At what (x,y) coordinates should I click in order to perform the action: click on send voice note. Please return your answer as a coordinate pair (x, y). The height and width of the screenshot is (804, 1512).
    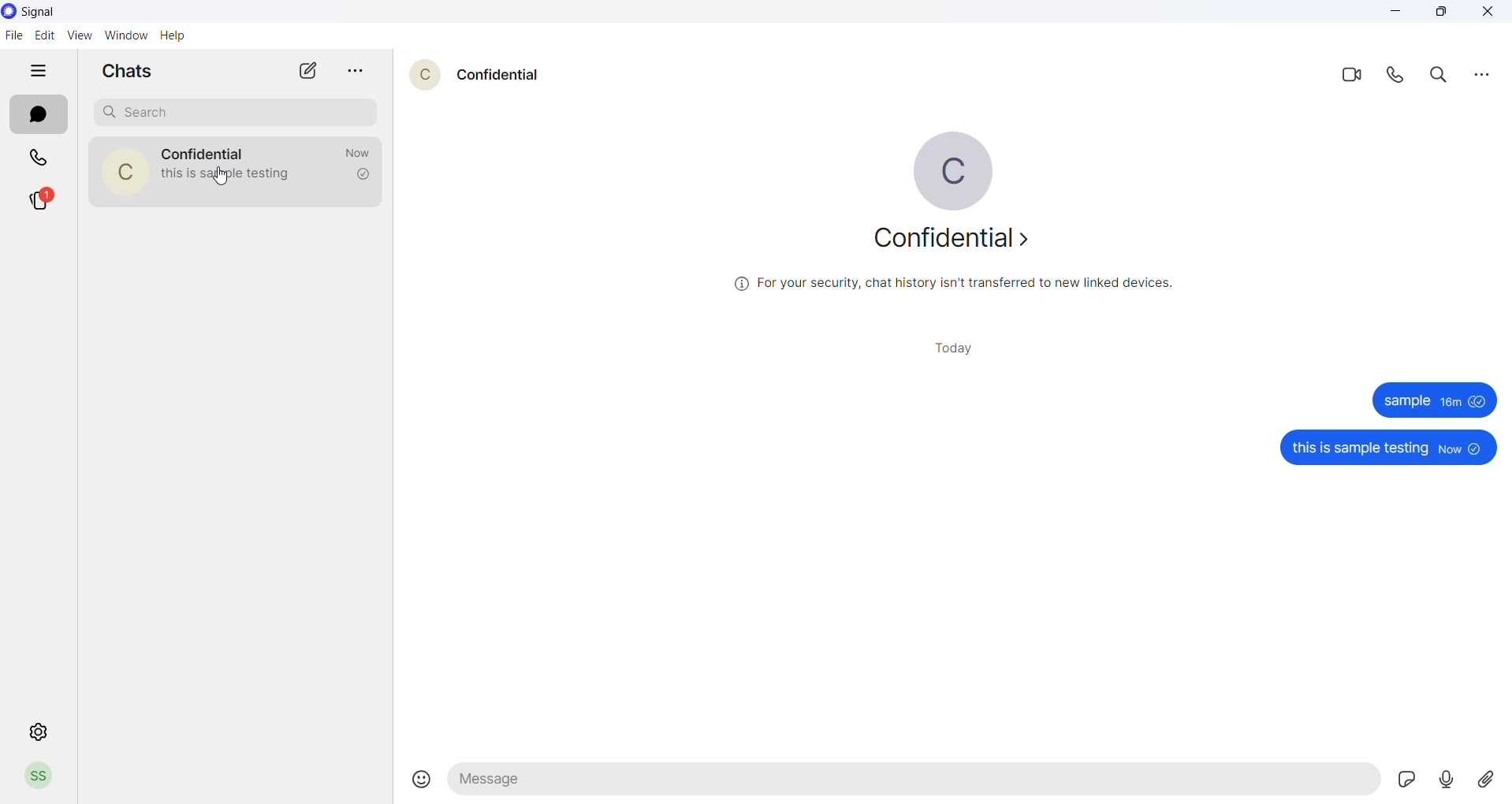
    Looking at the image, I should click on (1449, 782).